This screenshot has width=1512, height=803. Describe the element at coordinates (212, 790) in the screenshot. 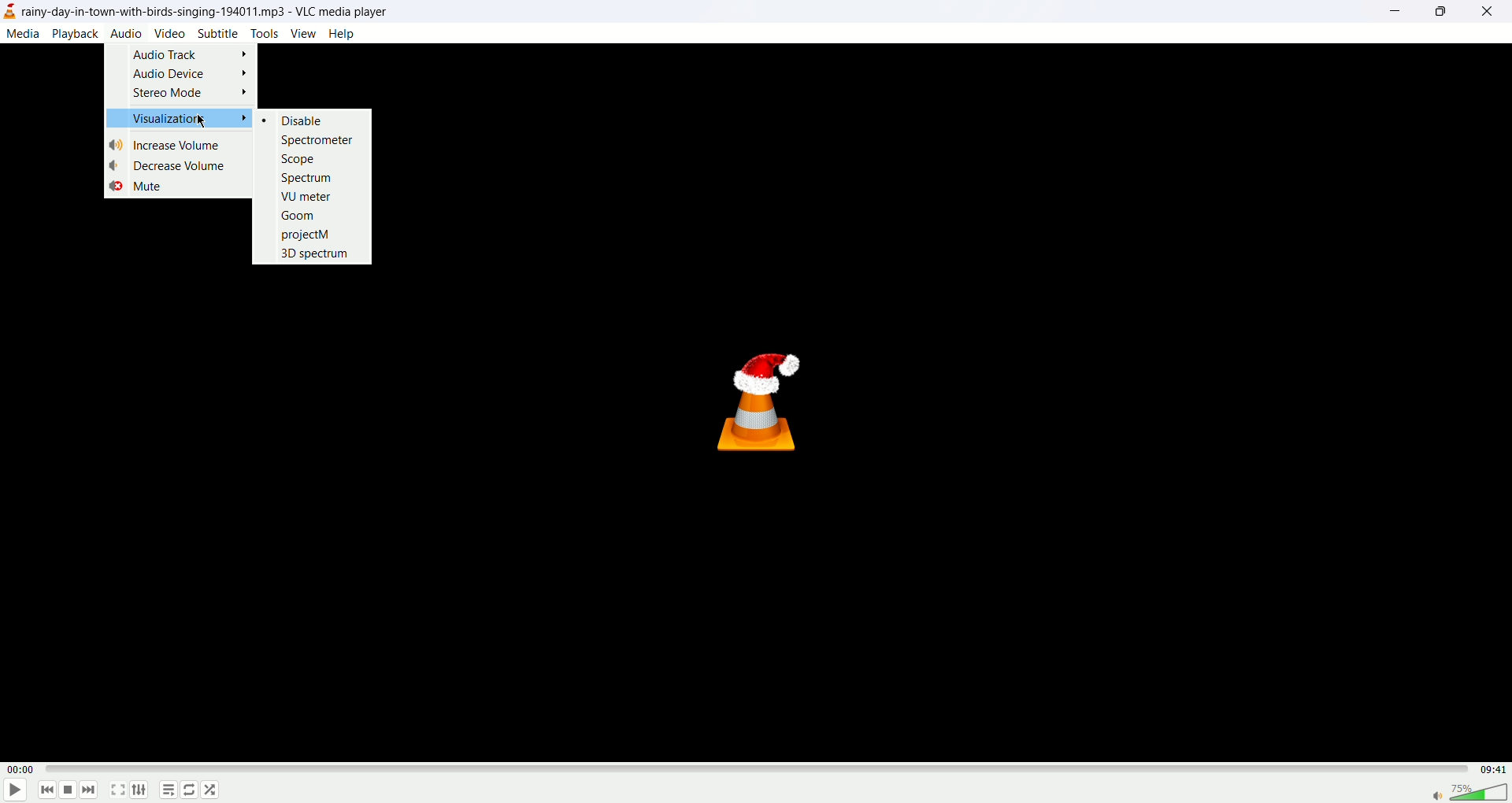

I see `shuffle` at that location.